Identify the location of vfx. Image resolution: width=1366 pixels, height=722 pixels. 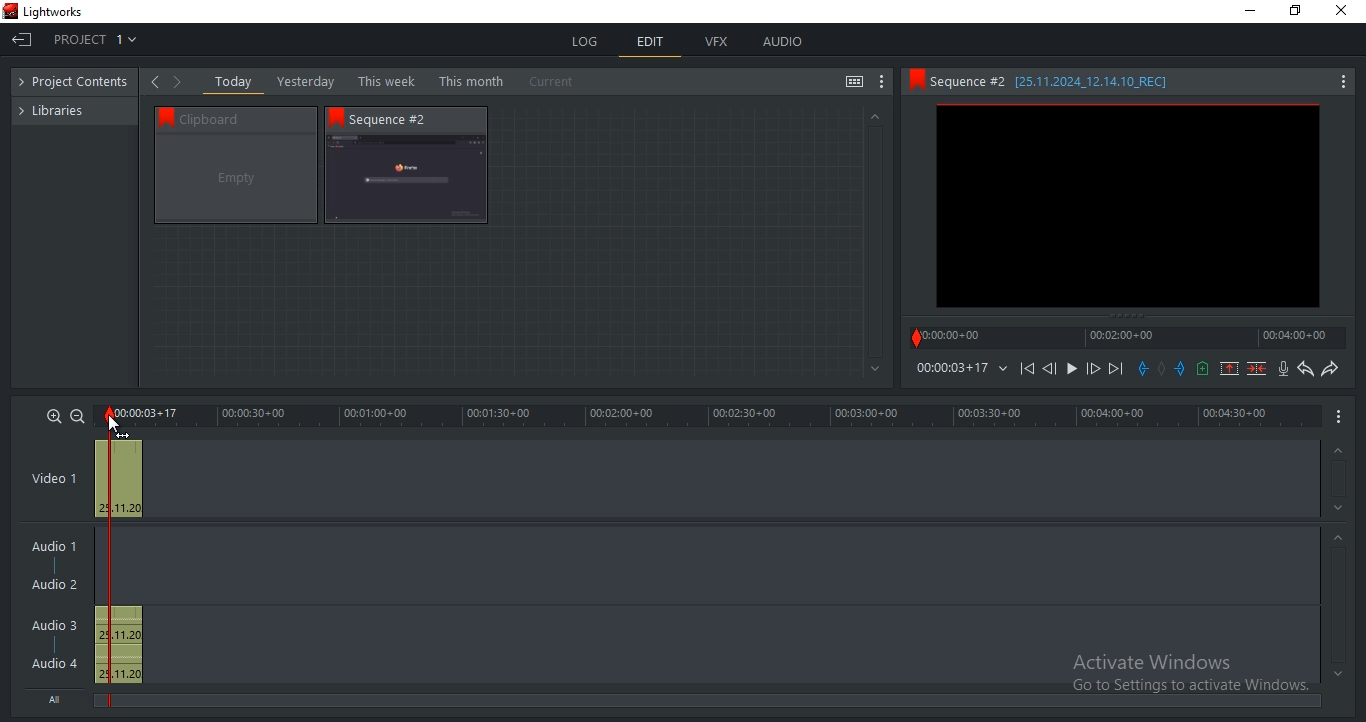
(716, 42).